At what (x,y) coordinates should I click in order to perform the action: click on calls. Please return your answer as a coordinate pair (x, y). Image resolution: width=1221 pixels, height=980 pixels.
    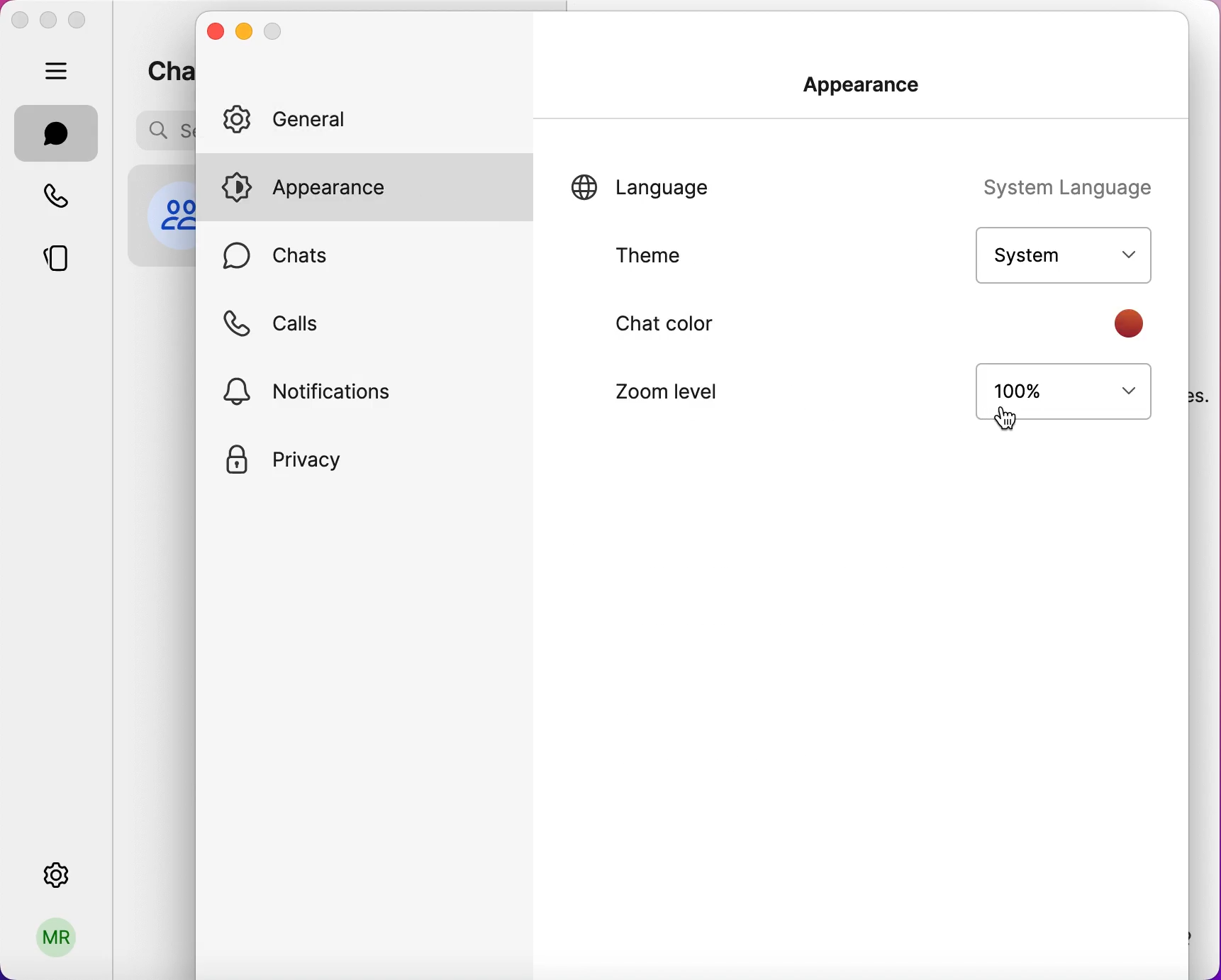
    Looking at the image, I should click on (281, 327).